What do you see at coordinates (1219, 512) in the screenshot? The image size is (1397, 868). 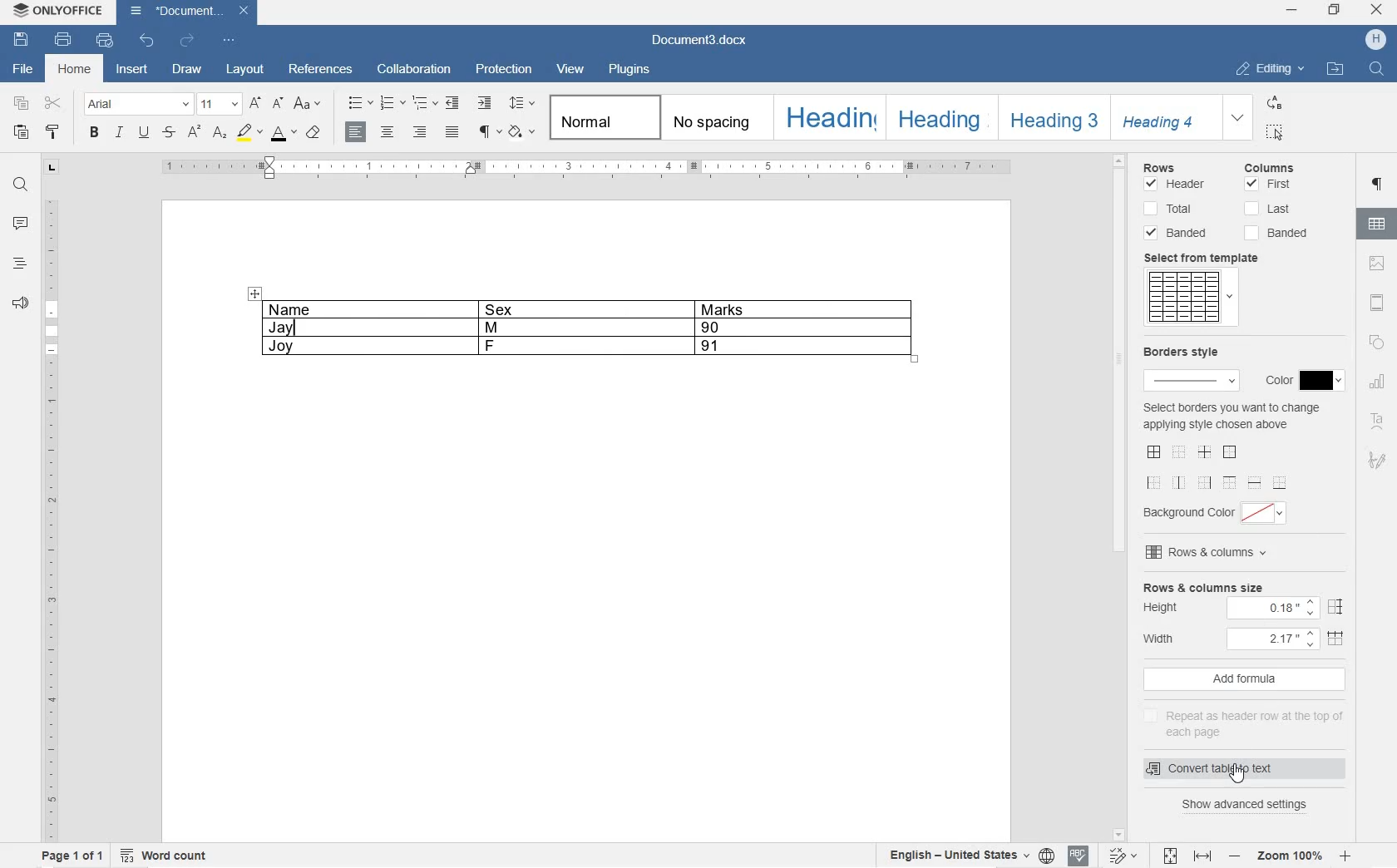 I see `background color` at bounding box center [1219, 512].